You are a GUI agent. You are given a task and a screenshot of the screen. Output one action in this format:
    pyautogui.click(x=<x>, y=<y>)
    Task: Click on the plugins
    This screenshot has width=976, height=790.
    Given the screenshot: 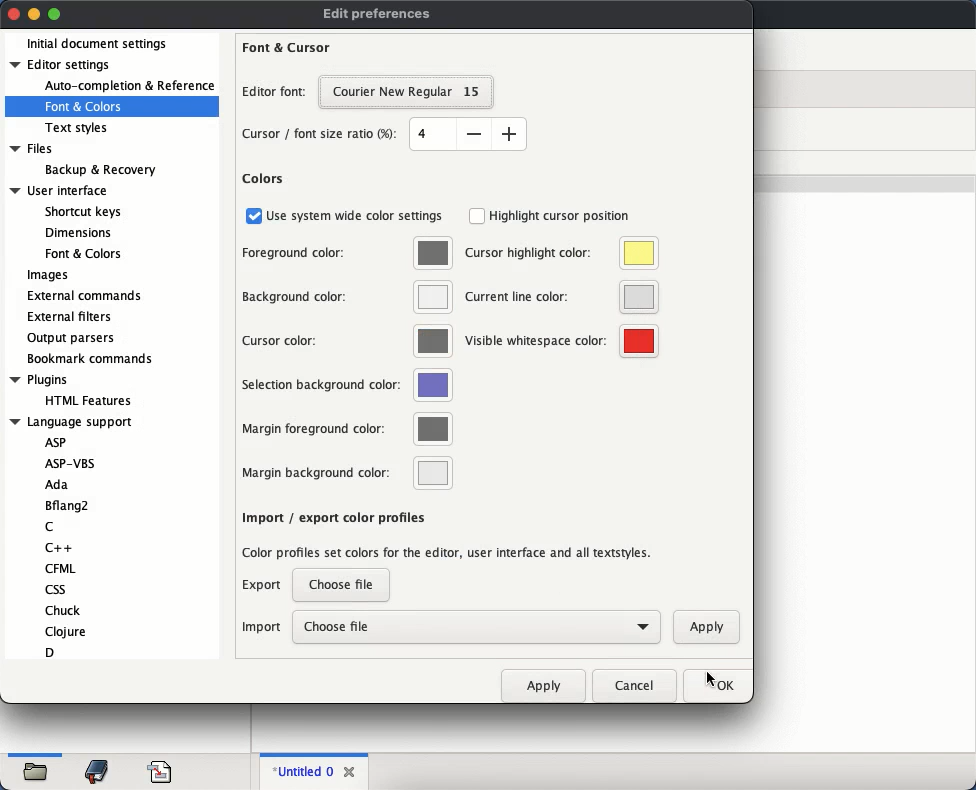 What is the action you would take?
    pyautogui.click(x=39, y=380)
    